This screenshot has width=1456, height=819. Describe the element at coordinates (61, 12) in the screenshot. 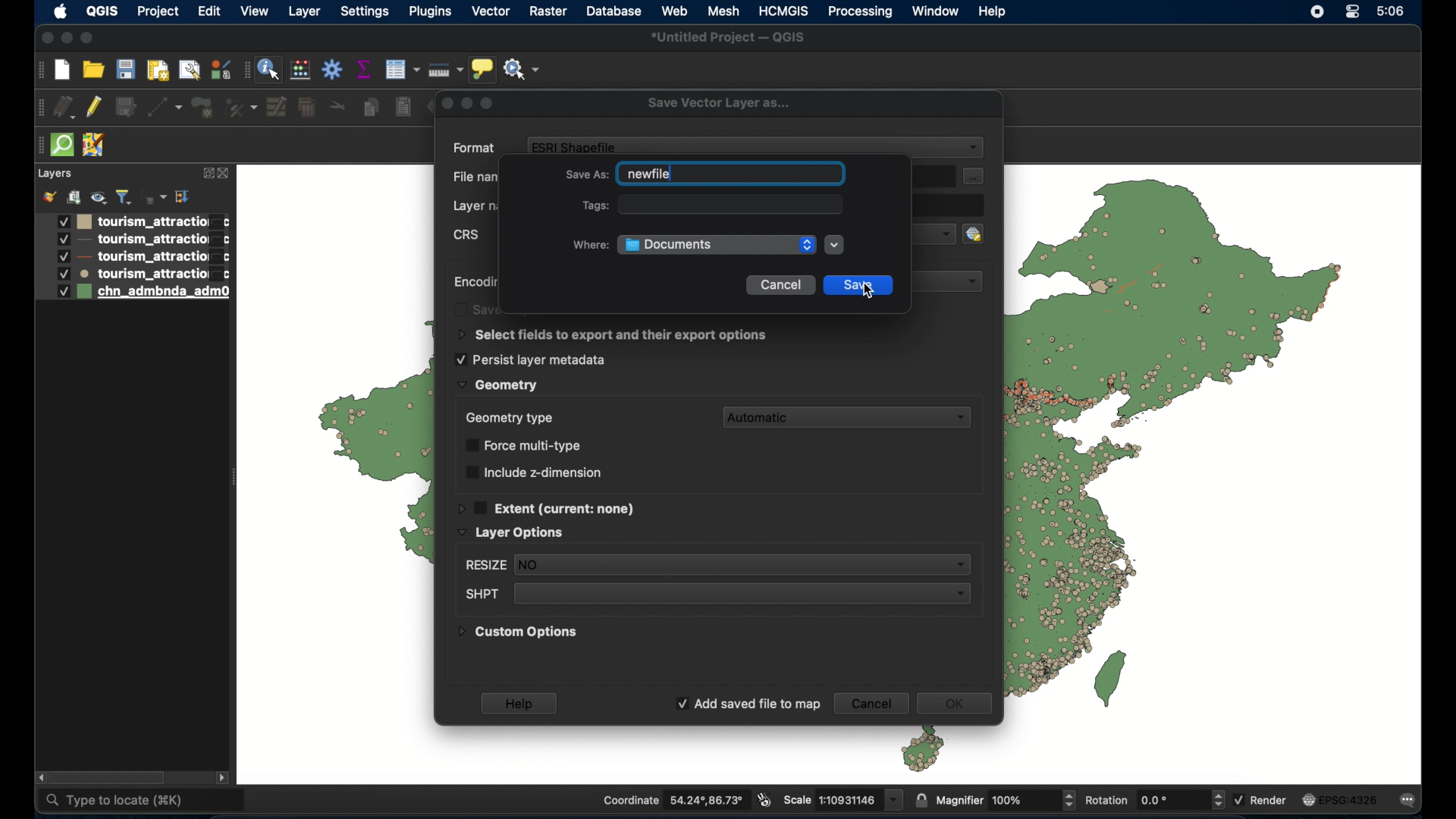

I see `apple icon` at that location.